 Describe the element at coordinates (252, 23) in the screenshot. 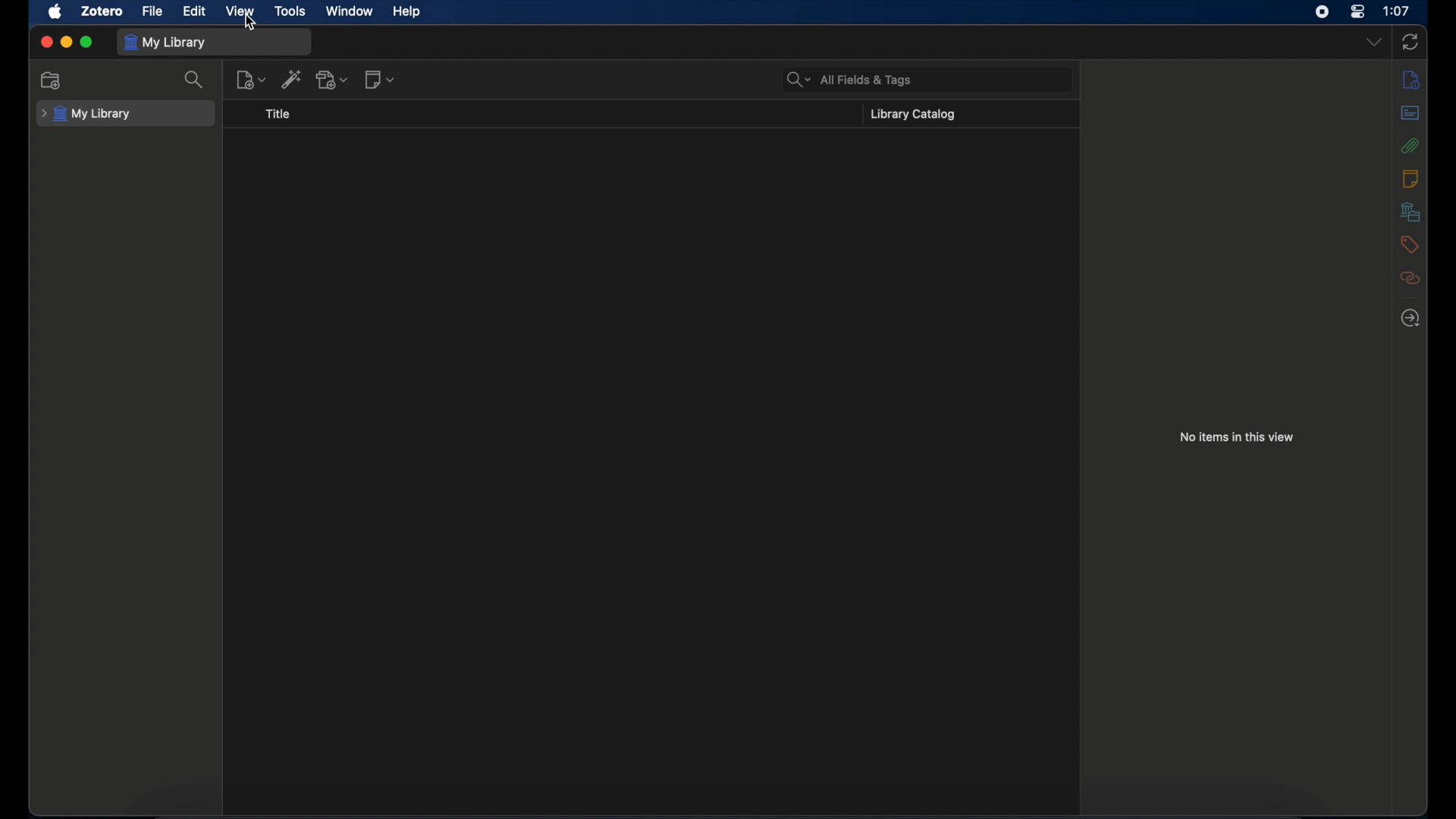

I see `cursor` at that location.